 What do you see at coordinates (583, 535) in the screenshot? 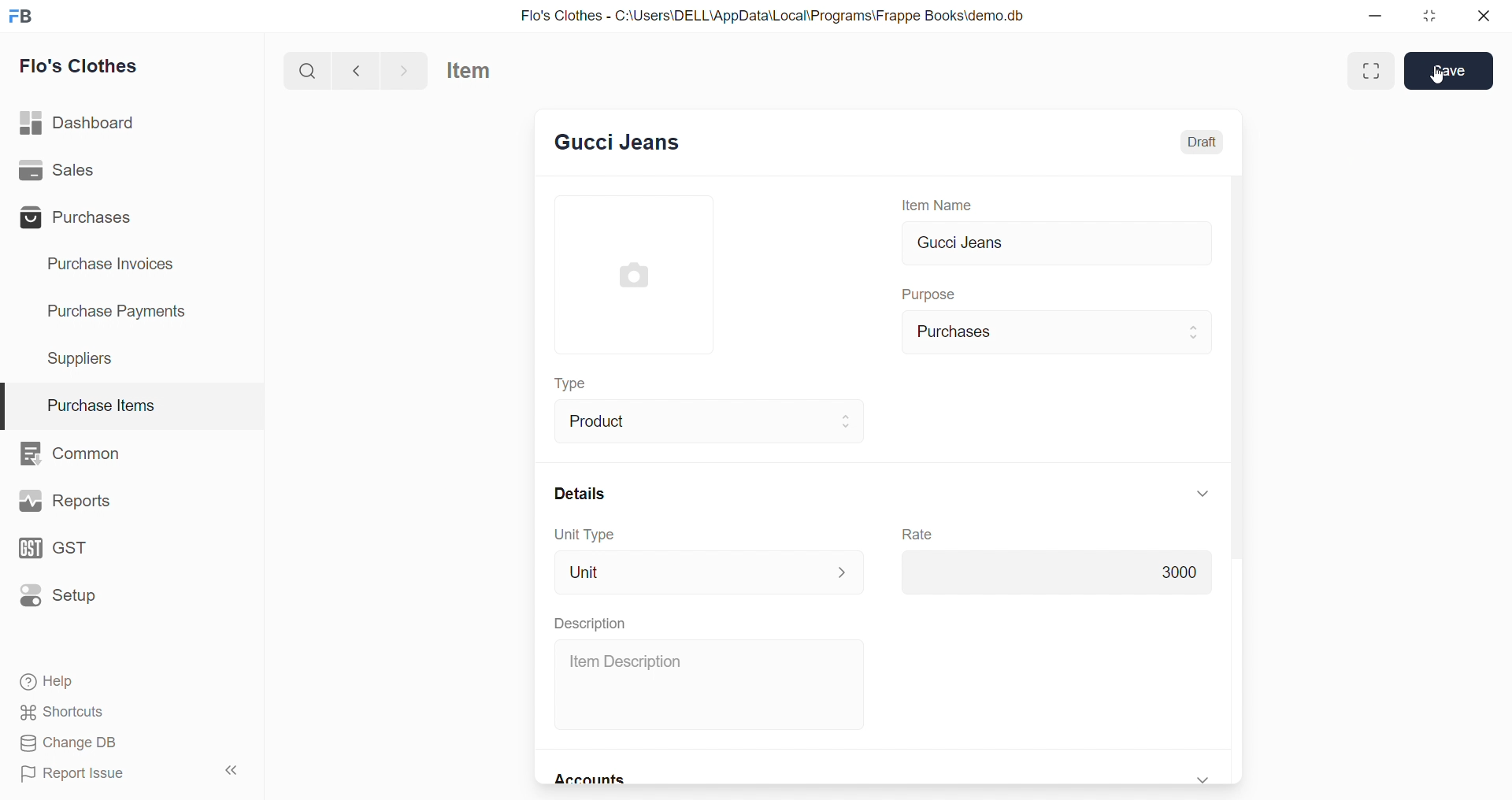
I see `Unit Type` at bounding box center [583, 535].